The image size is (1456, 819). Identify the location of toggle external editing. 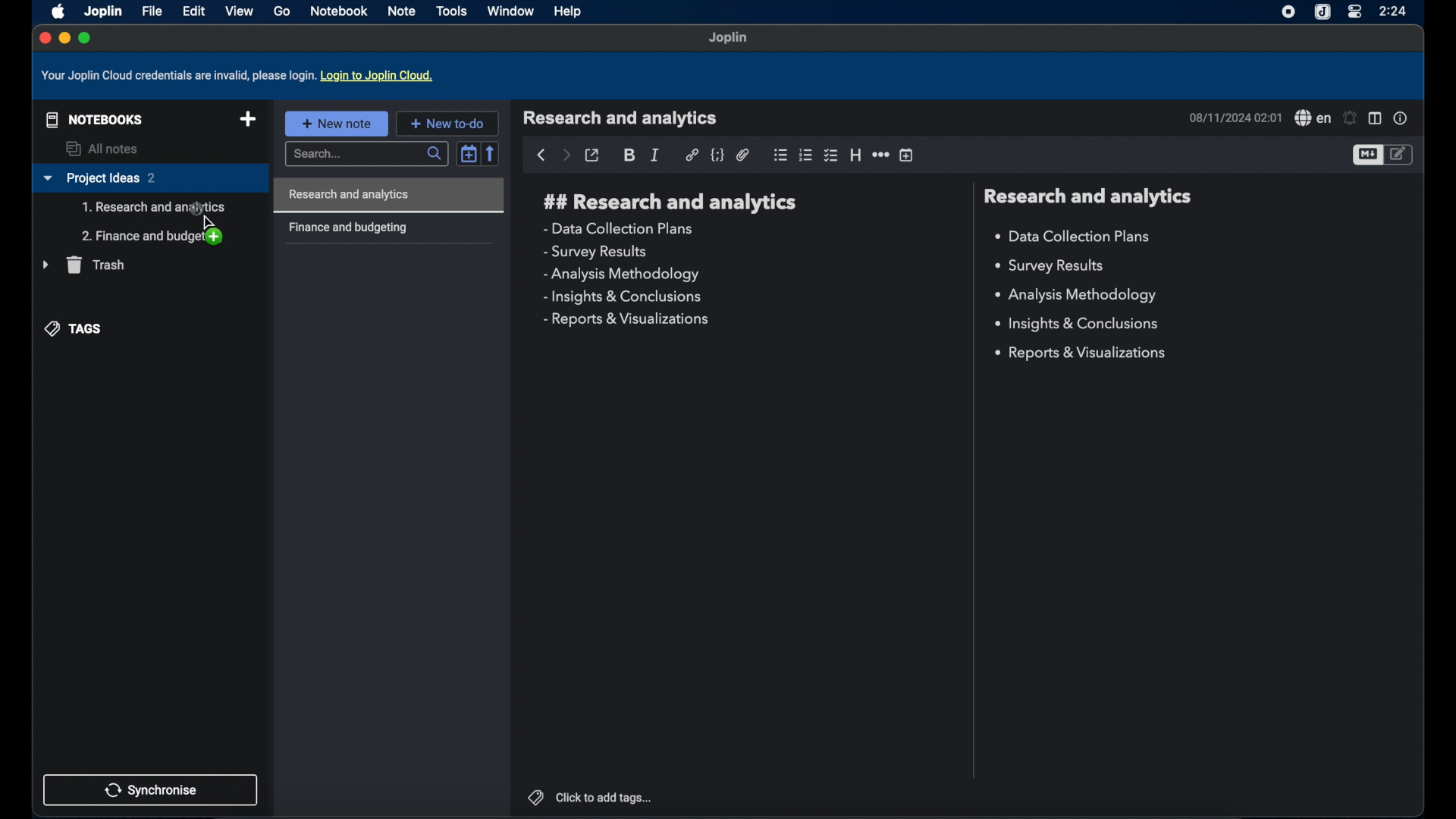
(593, 155).